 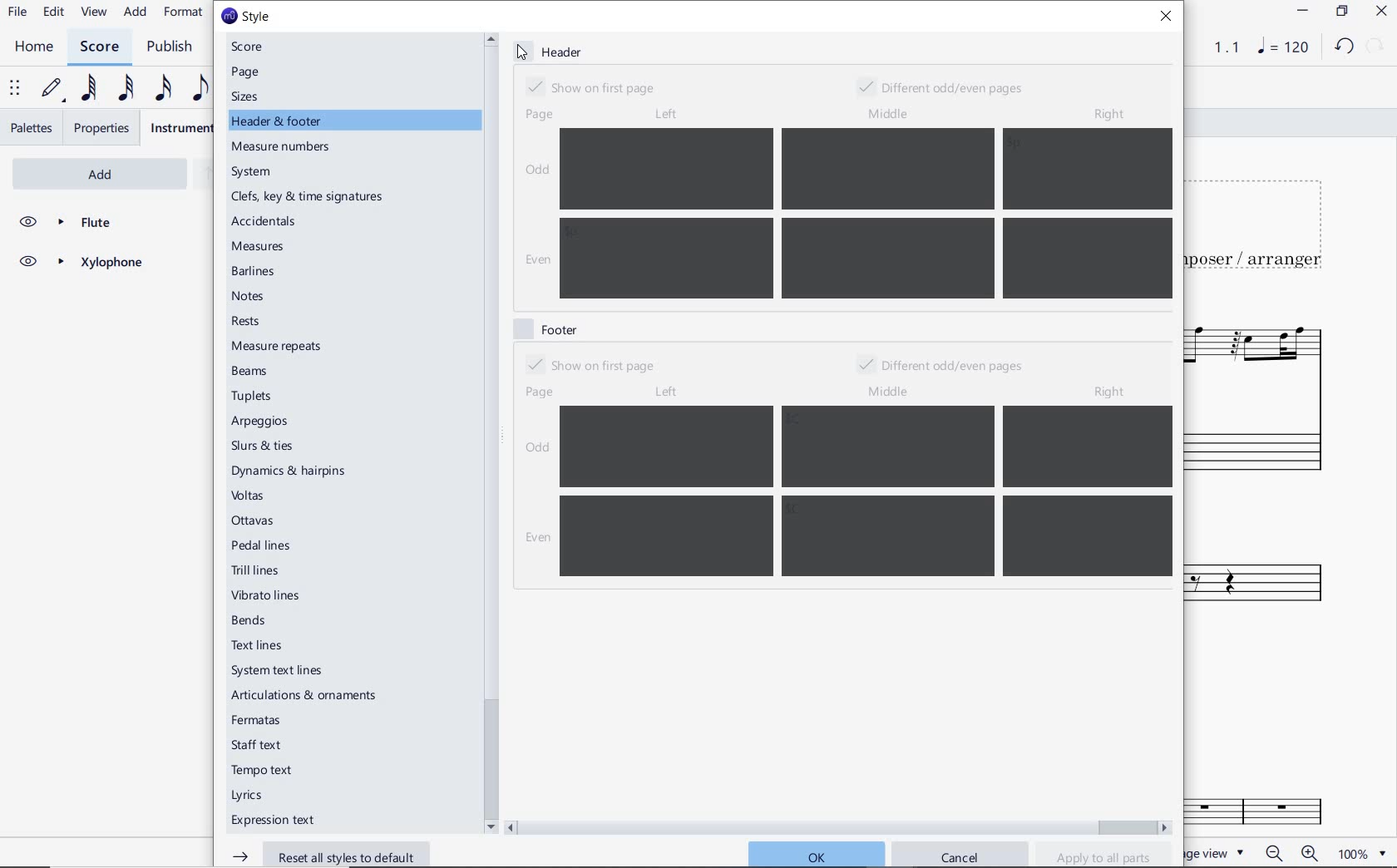 What do you see at coordinates (277, 346) in the screenshot?
I see `measure repeats` at bounding box center [277, 346].